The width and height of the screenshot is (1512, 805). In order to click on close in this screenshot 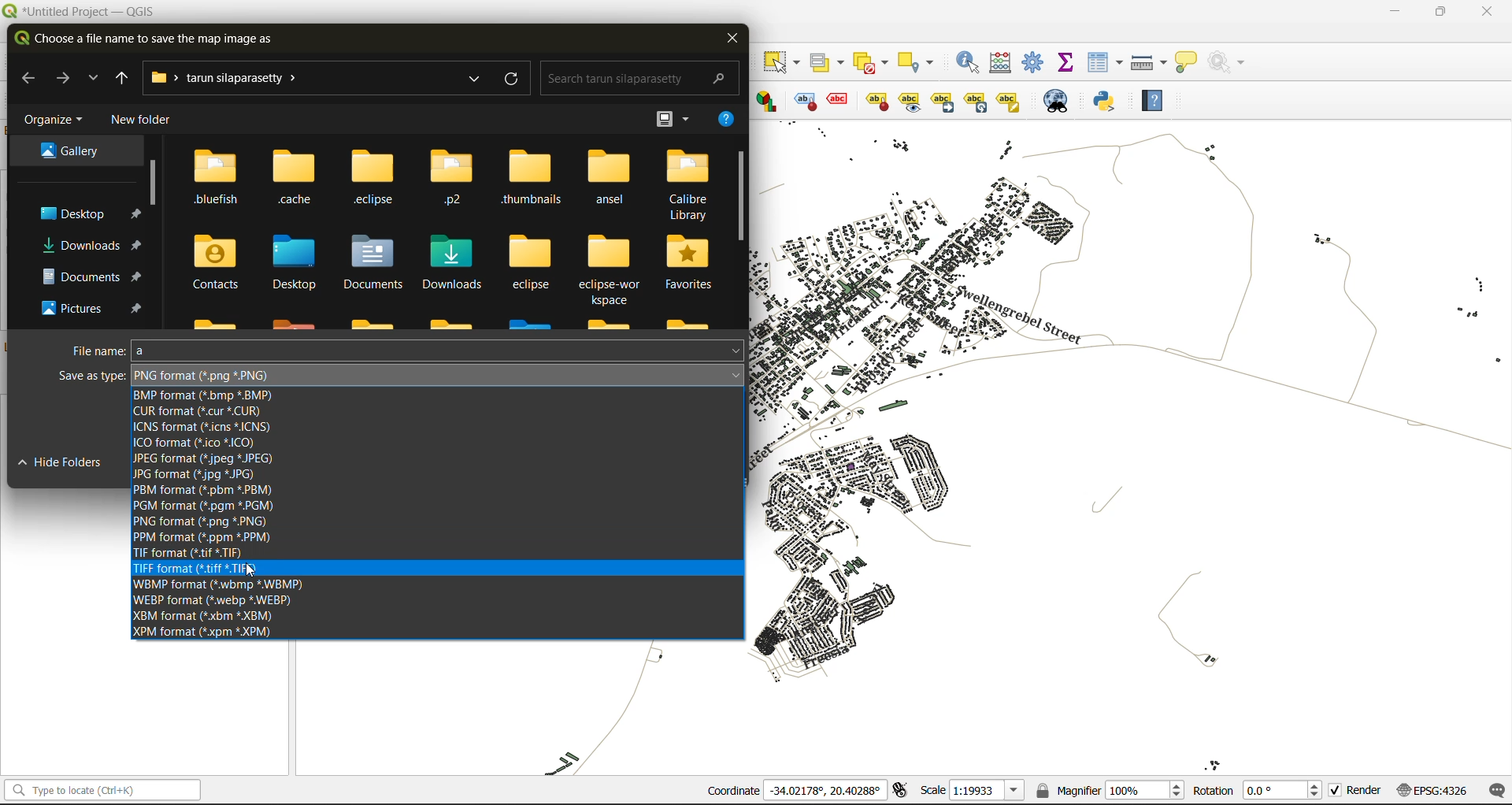, I will do `click(732, 39)`.